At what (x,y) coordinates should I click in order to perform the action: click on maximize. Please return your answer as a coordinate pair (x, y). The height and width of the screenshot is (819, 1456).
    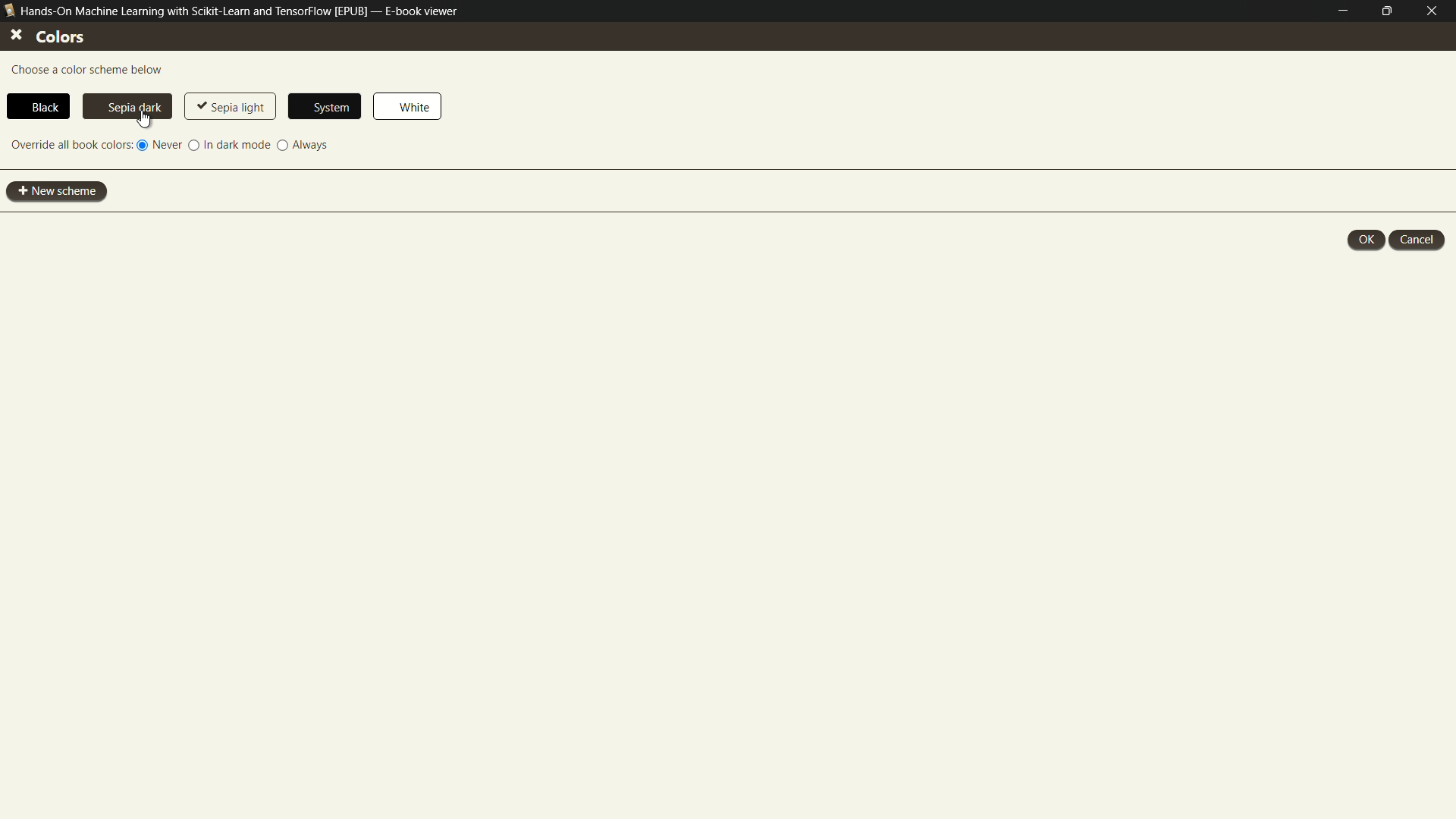
    Looking at the image, I should click on (1391, 11).